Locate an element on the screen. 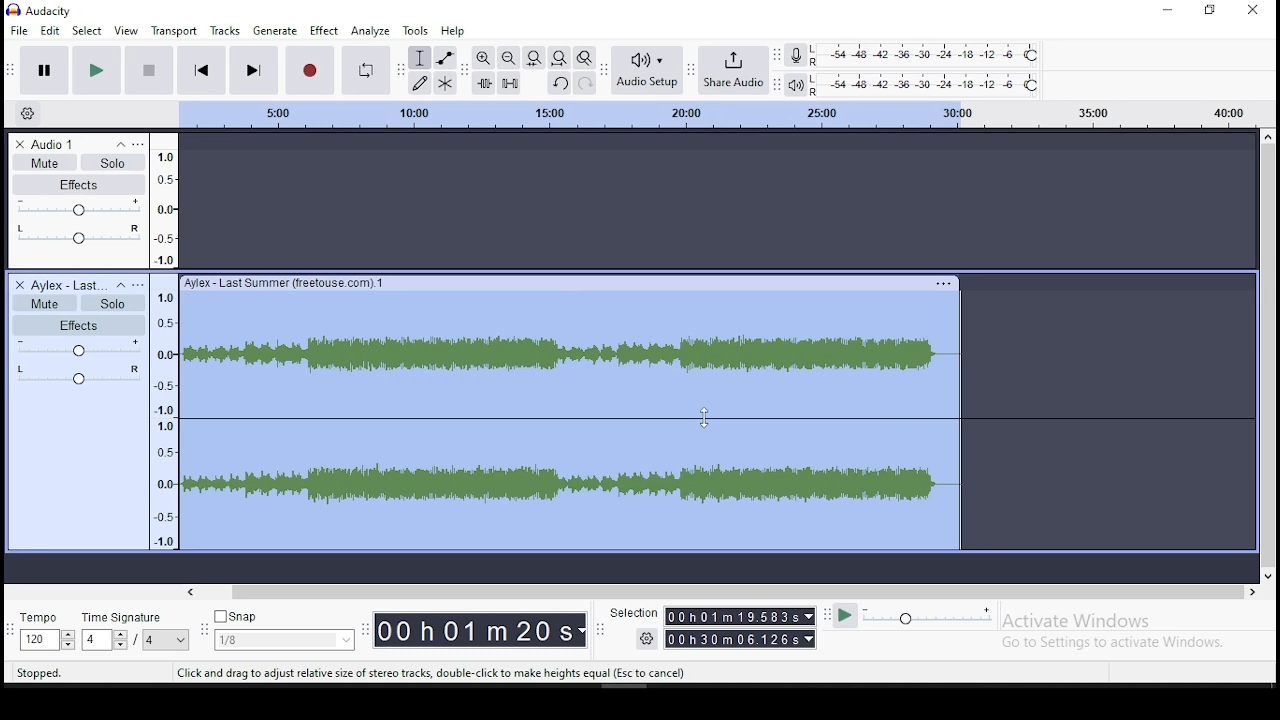 Image resolution: width=1280 pixels, height=720 pixels. fit to project to width is located at coordinates (559, 57).